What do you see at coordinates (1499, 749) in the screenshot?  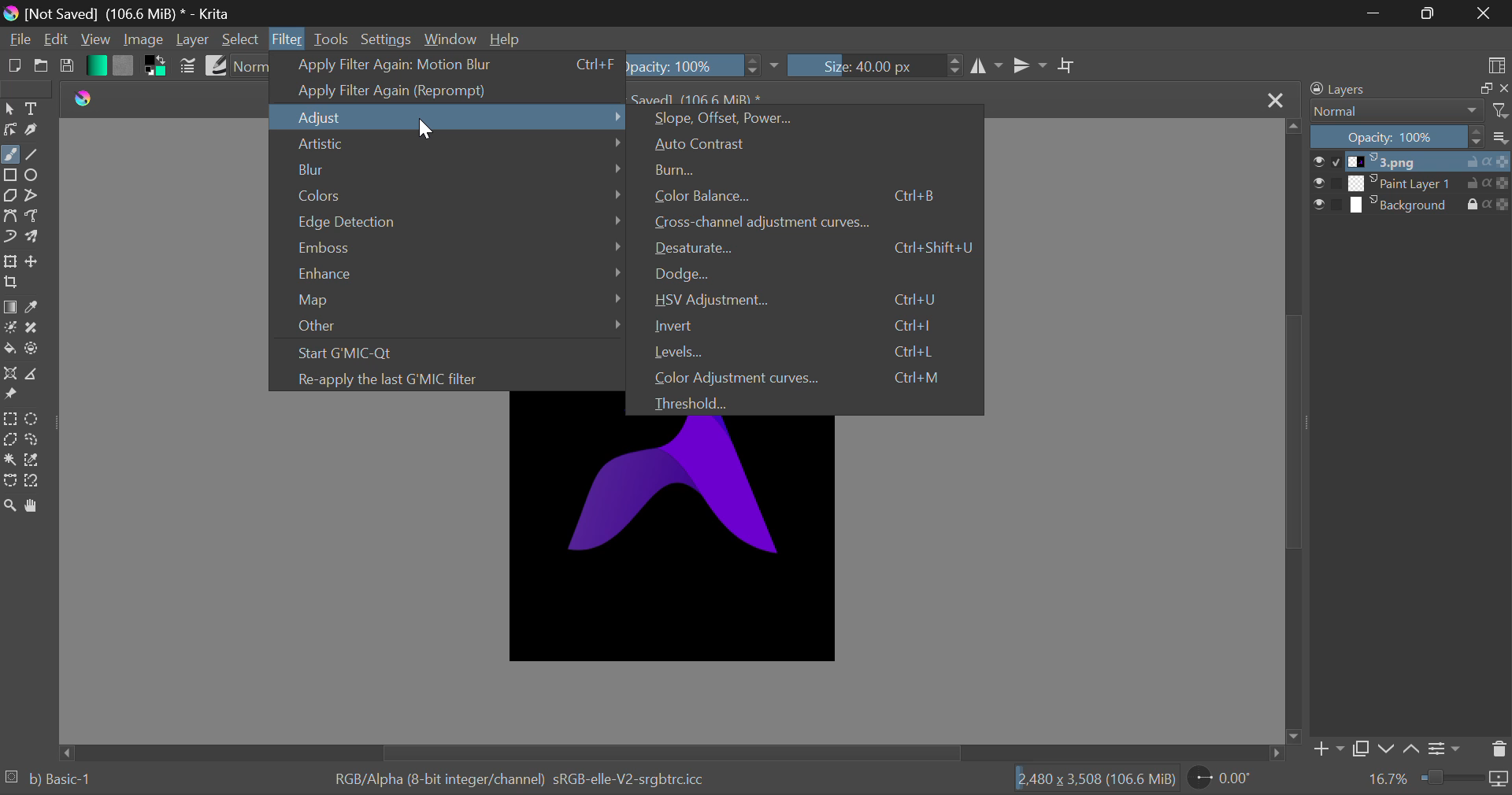 I see `Delete Layer` at bounding box center [1499, 749].